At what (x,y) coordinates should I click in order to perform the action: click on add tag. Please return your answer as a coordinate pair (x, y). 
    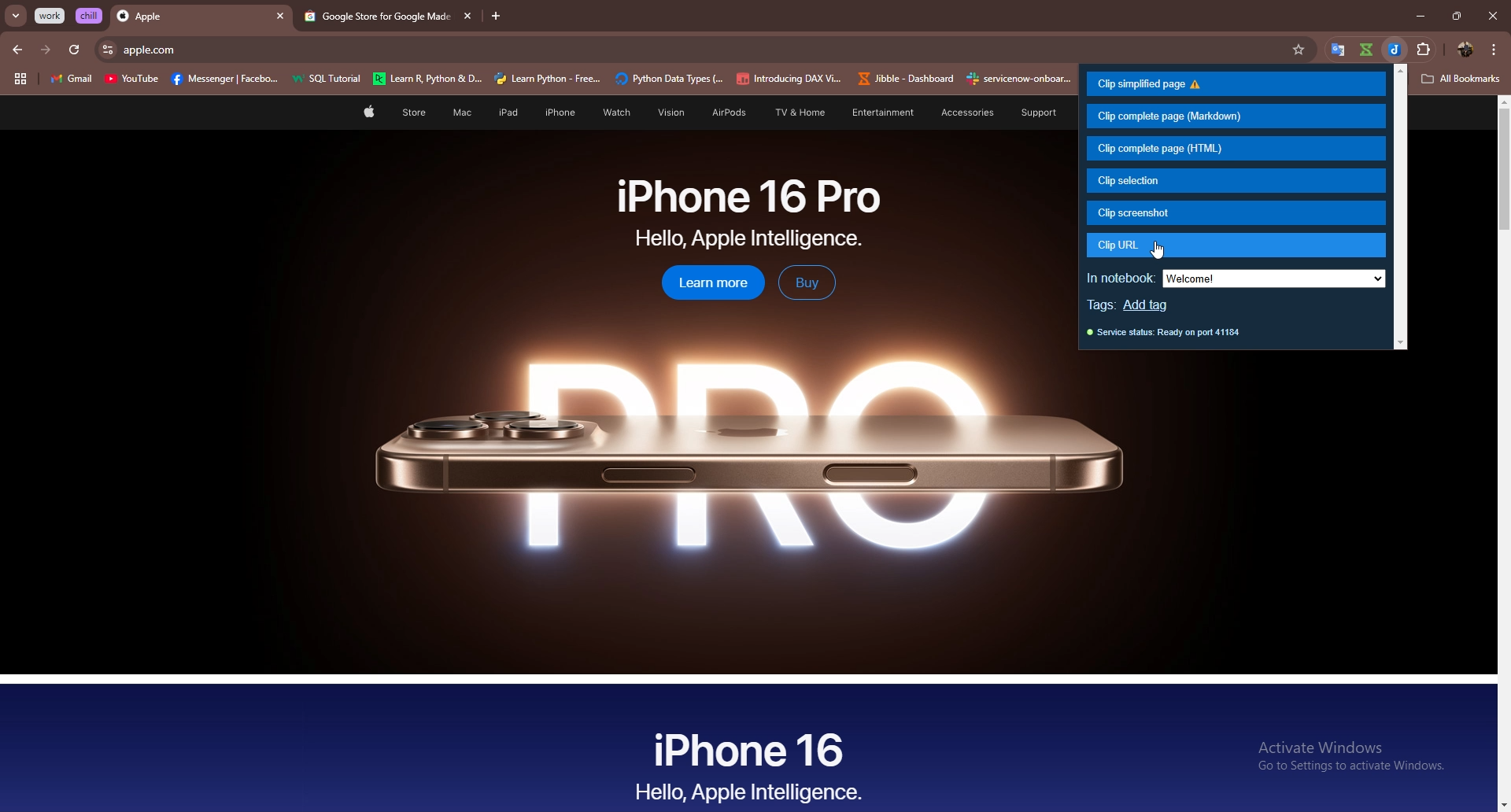
    Looking at the image, I should click on (1153, 306).